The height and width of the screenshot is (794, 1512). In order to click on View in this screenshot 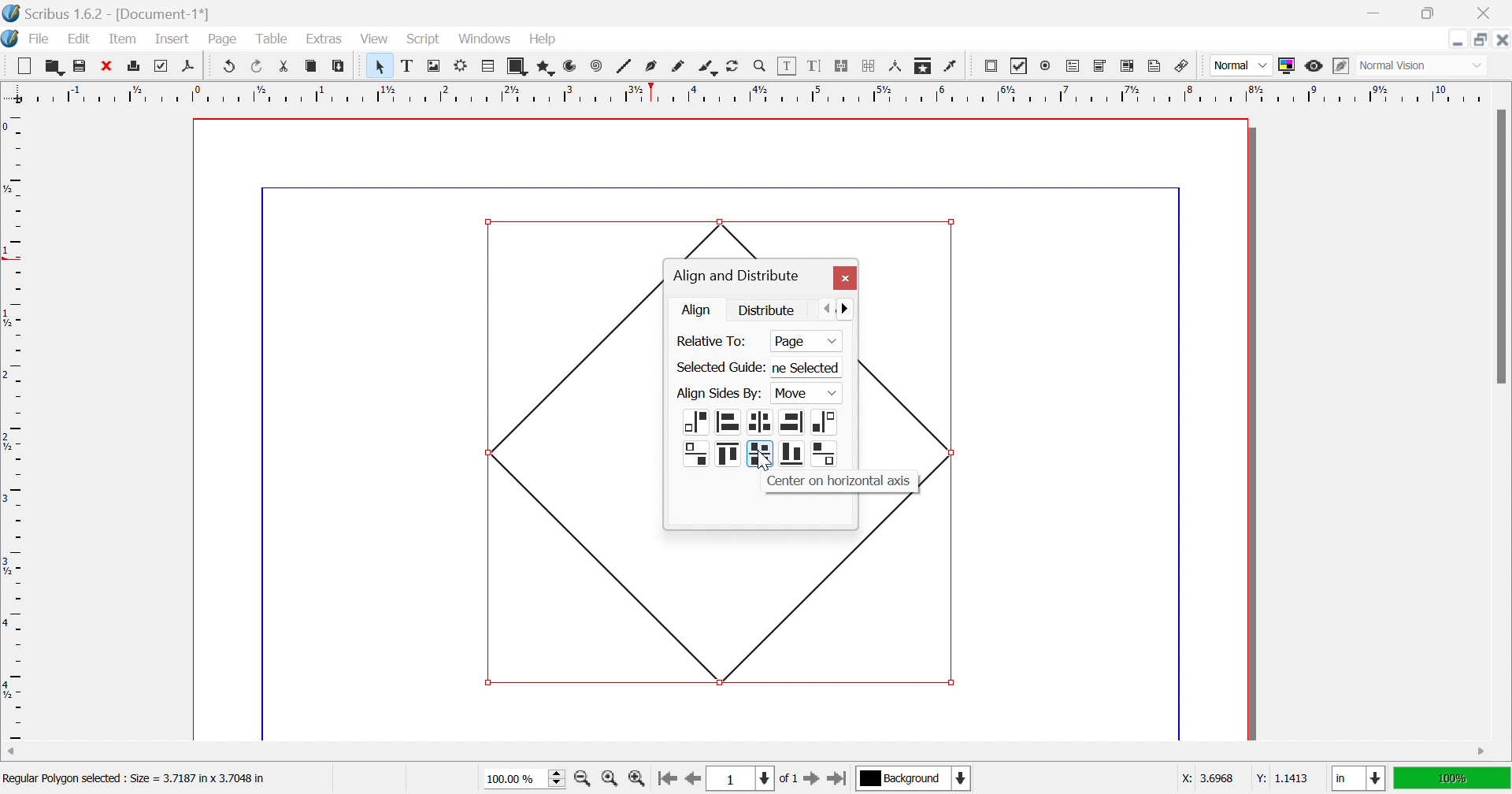, I will do `click(374, 39)`.